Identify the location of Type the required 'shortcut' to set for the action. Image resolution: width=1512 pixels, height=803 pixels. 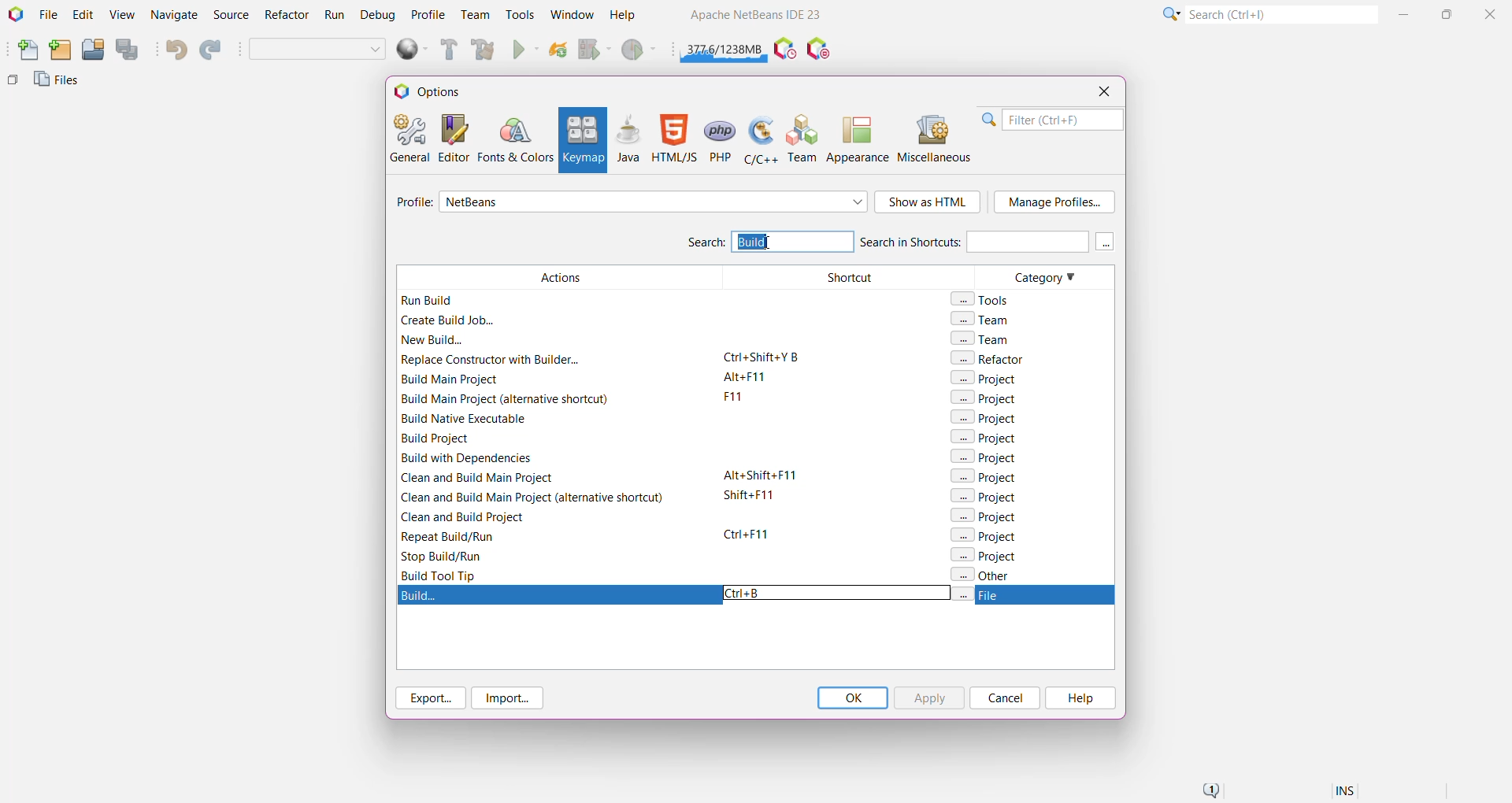
(748, 594).